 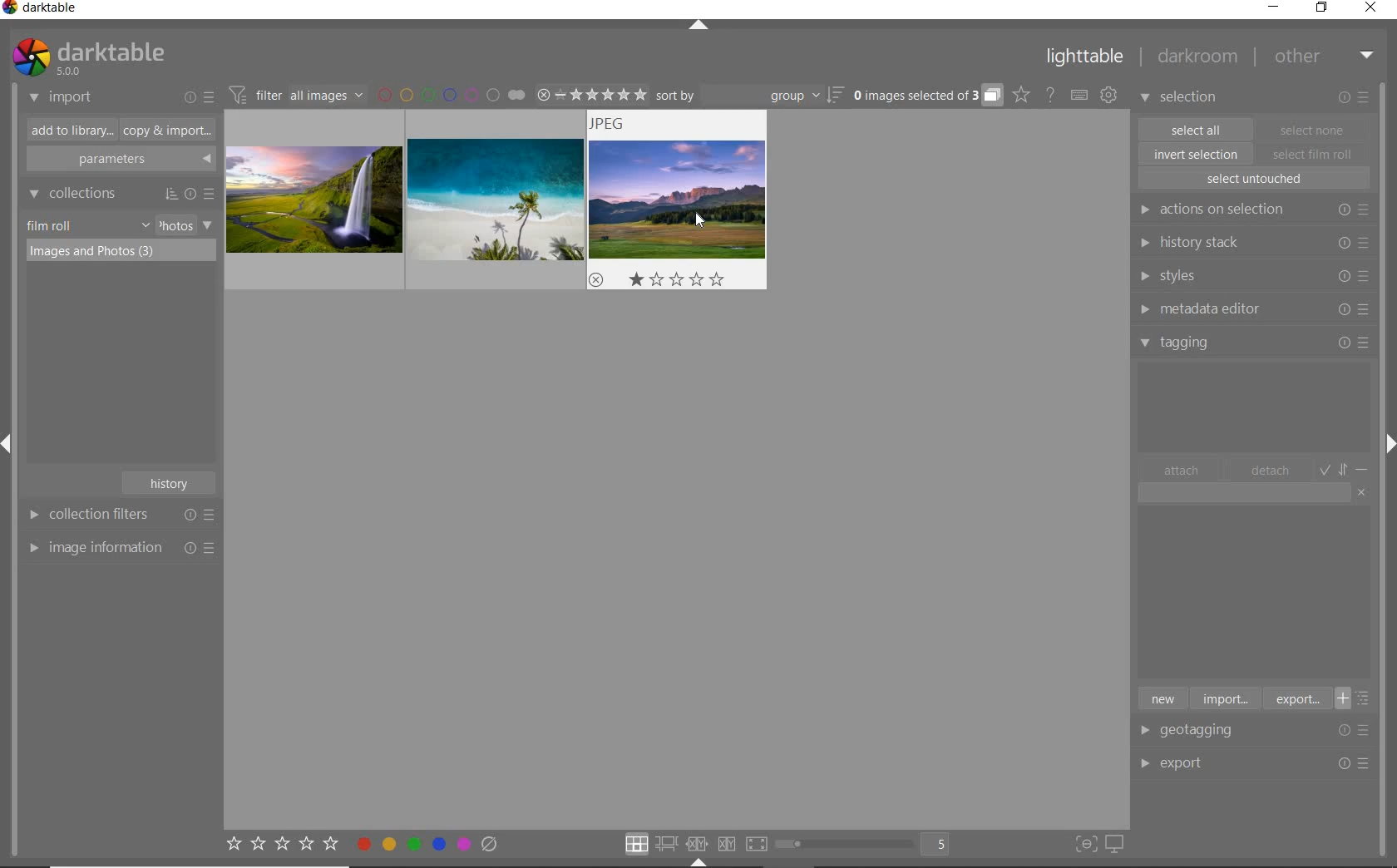 I want to click on toggle focus-peaking mode, so click(x=1084, y=842).